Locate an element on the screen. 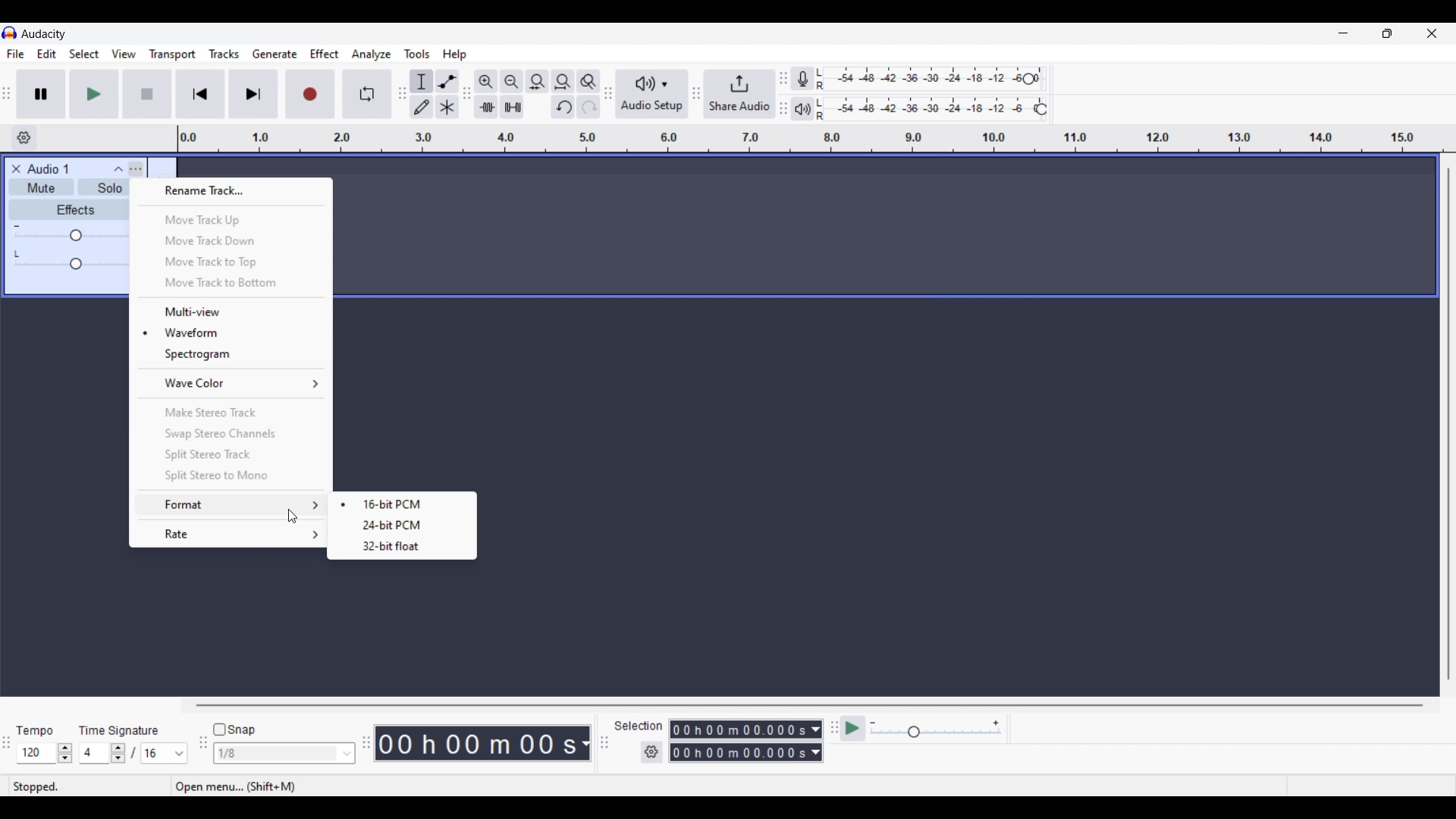 Image resolution: width=1456 pixels, height=819 pixels. Change playback level is located at coordinates (1041, 110).